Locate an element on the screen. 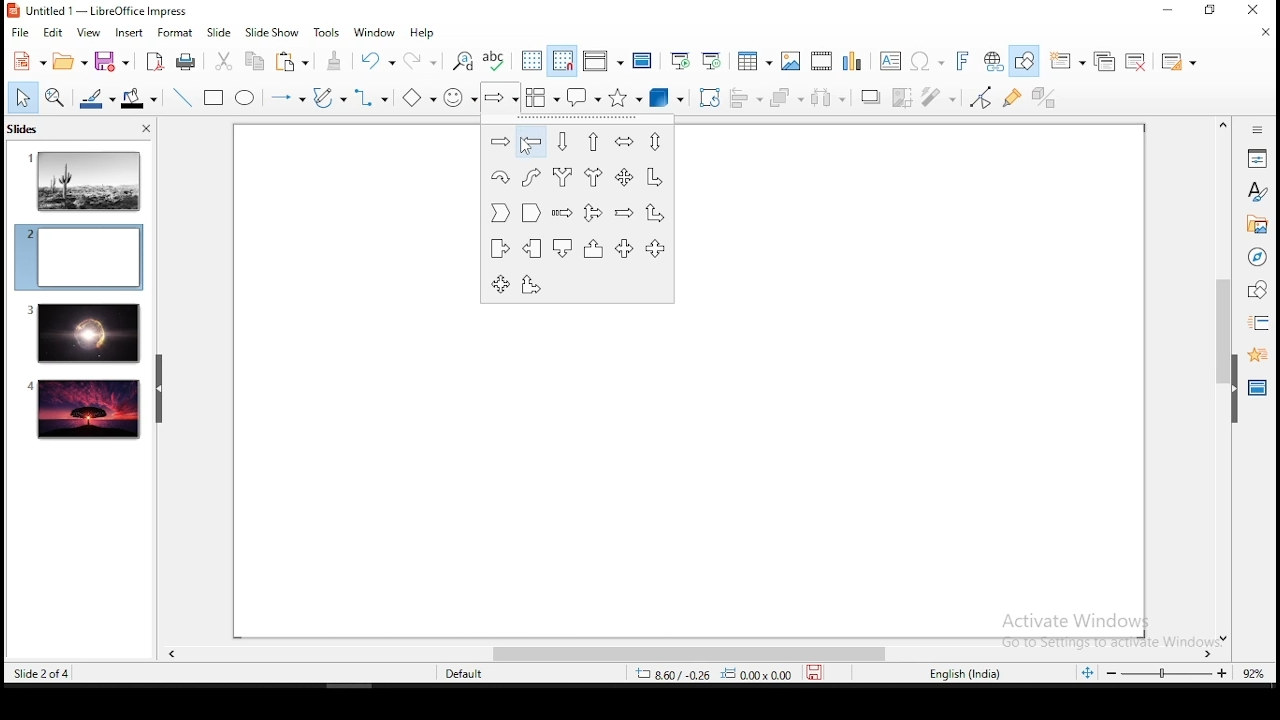 The width and height of the screenshot is (1280, 720). save is located at coordinates (112, 62).